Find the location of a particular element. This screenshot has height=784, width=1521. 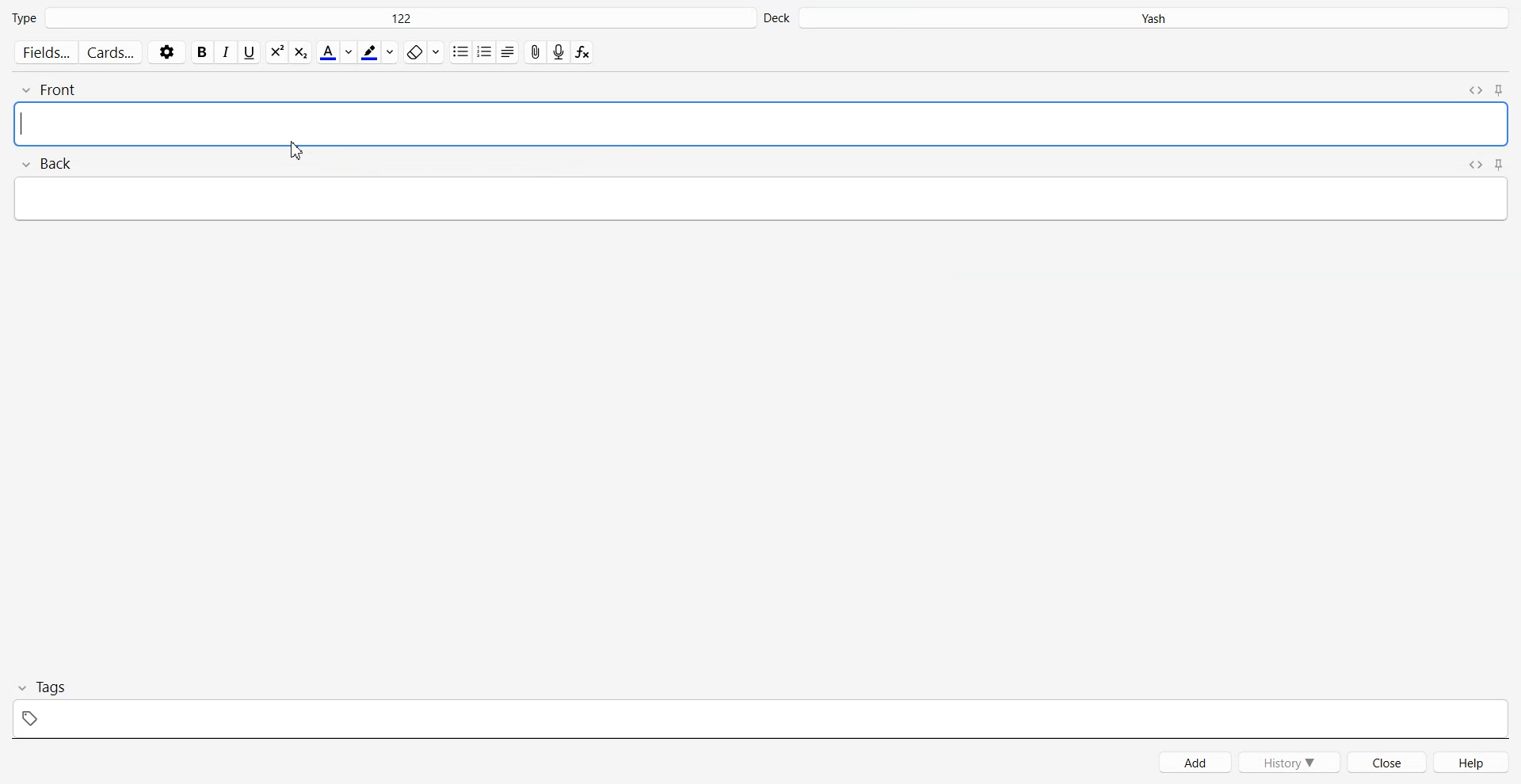

Attach File is located at coordinates (534, 51).